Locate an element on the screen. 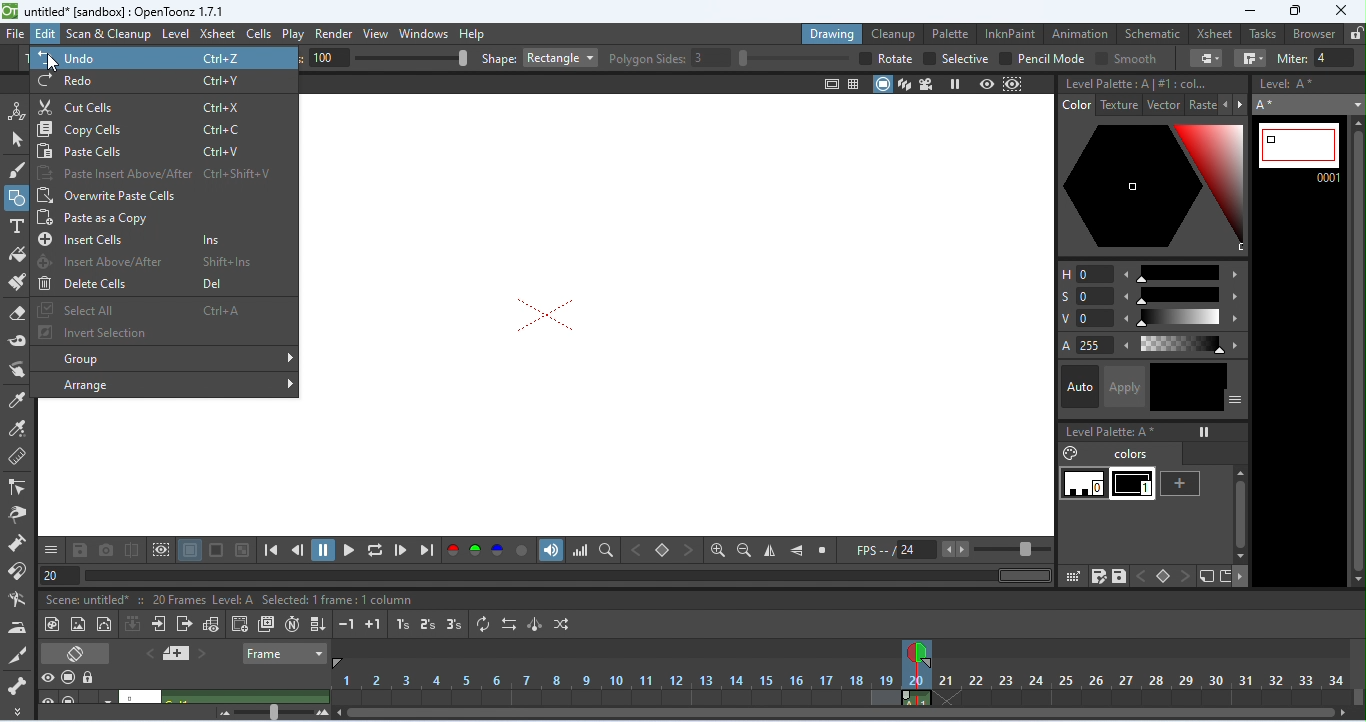 This screenshot has width=1366, height=722. level palette A#1: color is located at coordinates (1134, 81).